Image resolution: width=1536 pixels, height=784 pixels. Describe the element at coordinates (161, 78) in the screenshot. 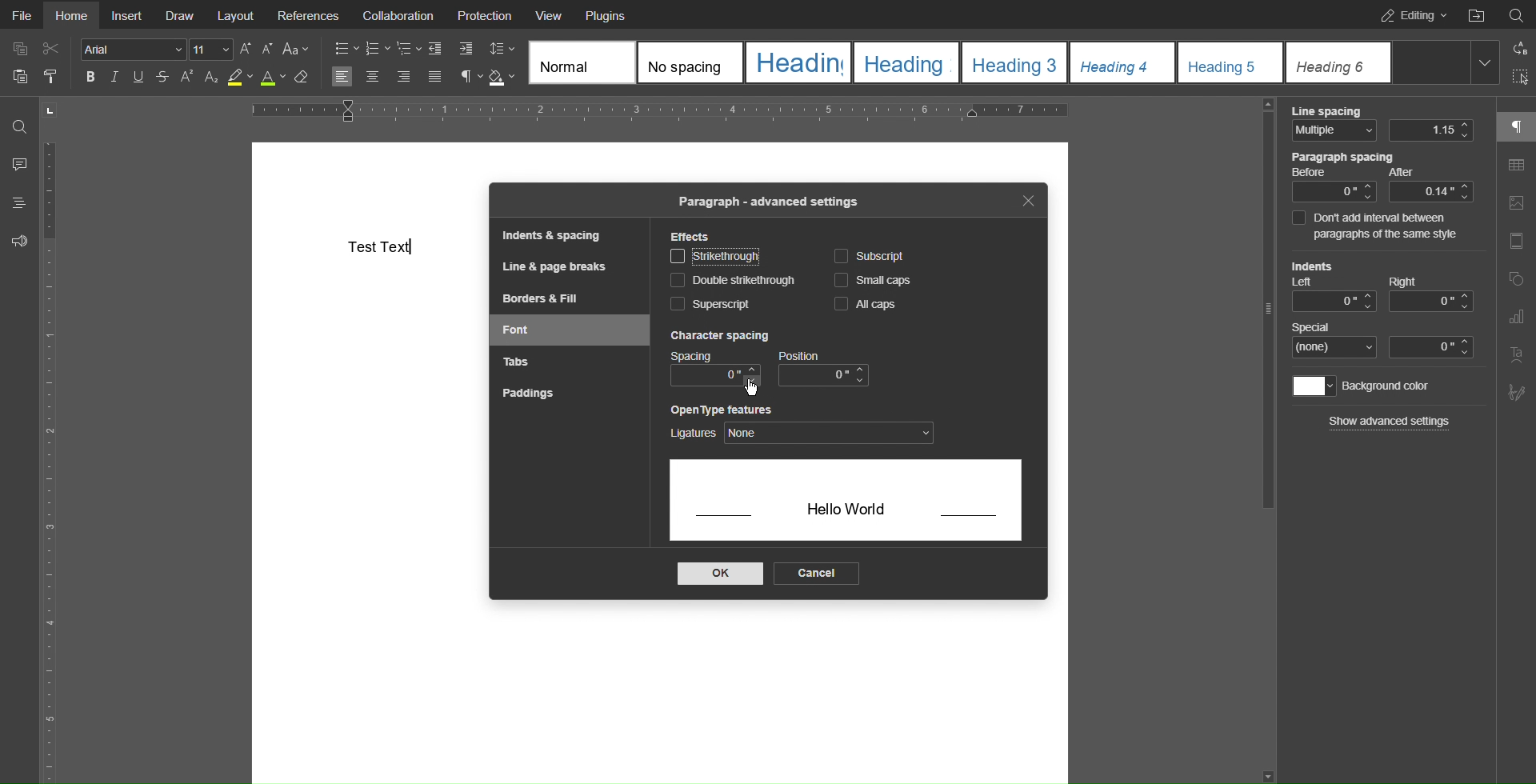

I see `Strikethrough` at that location.